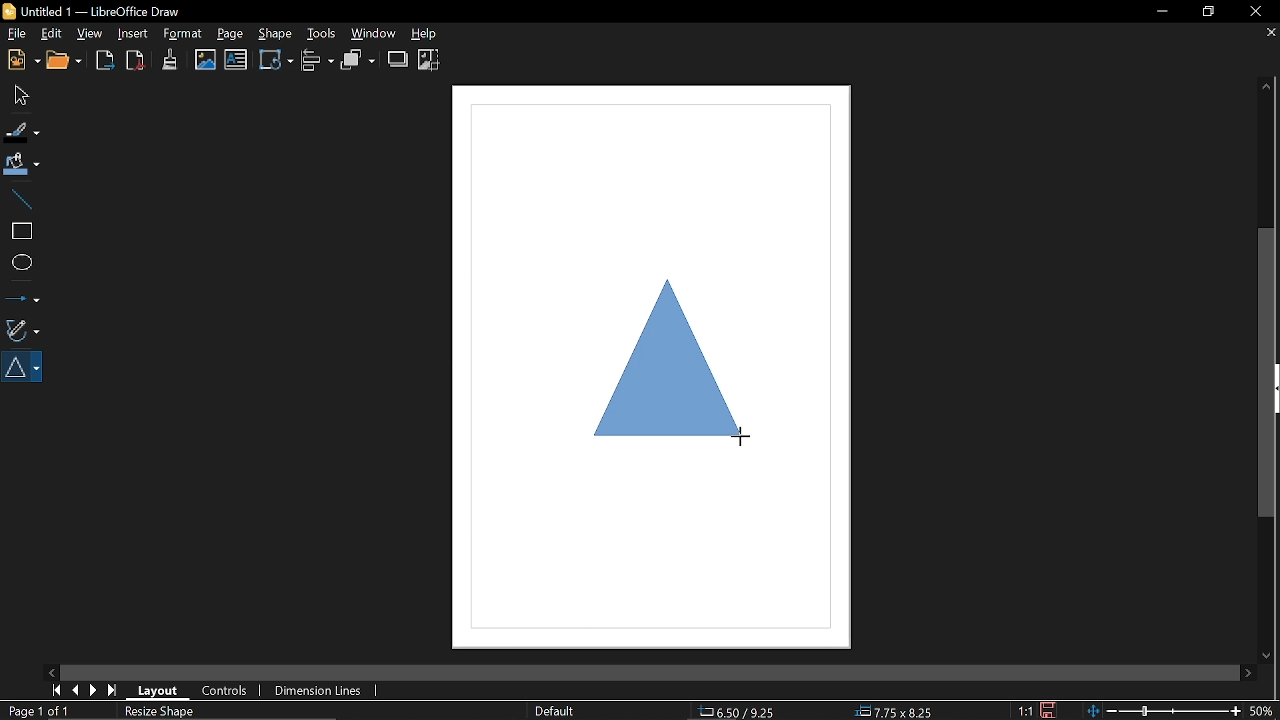 This screenshot has width=1280, height=720. I want to click on Arrange, so click(358, 60).